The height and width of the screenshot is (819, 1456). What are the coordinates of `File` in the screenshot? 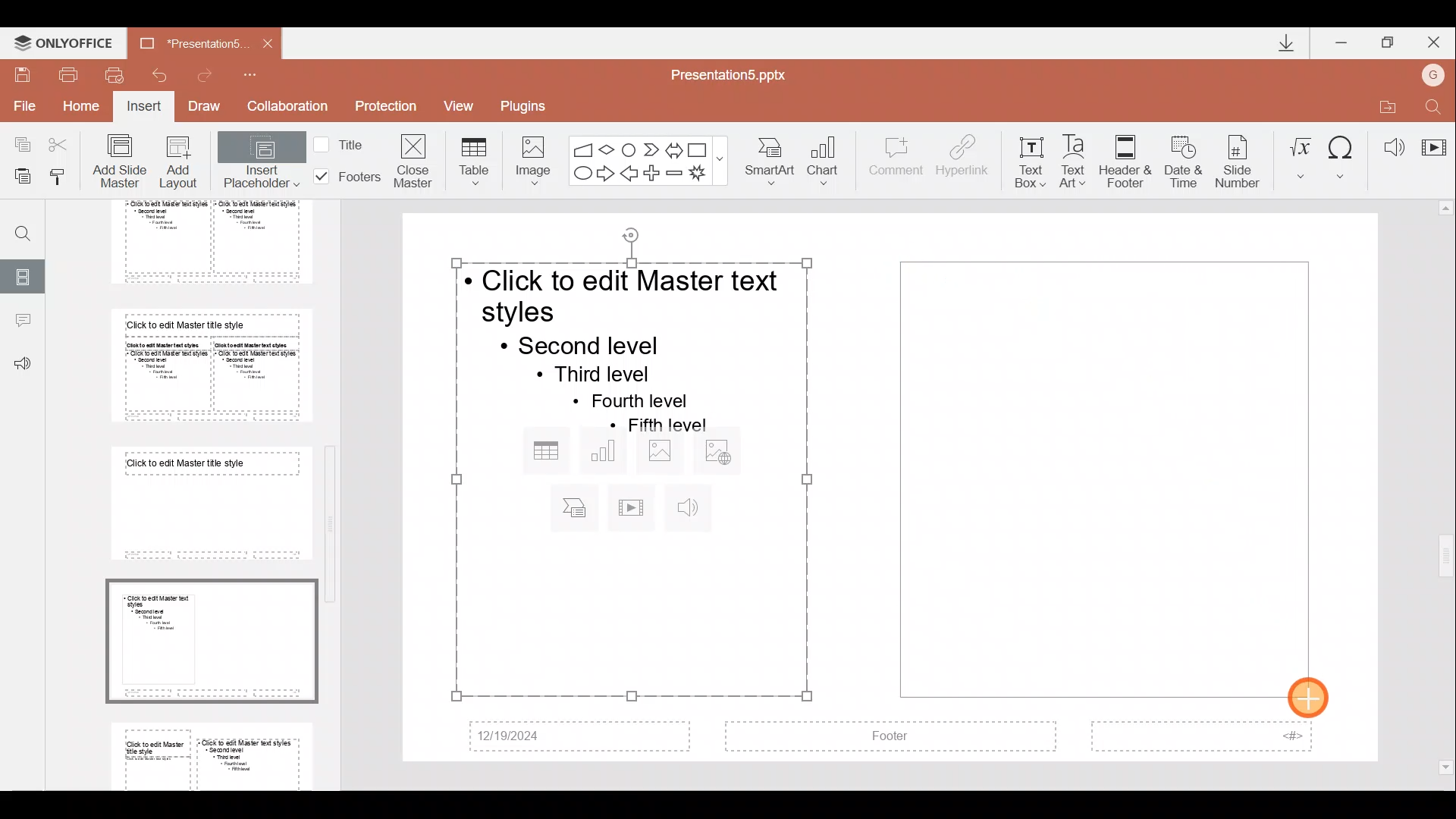 It's located at (22, 105).